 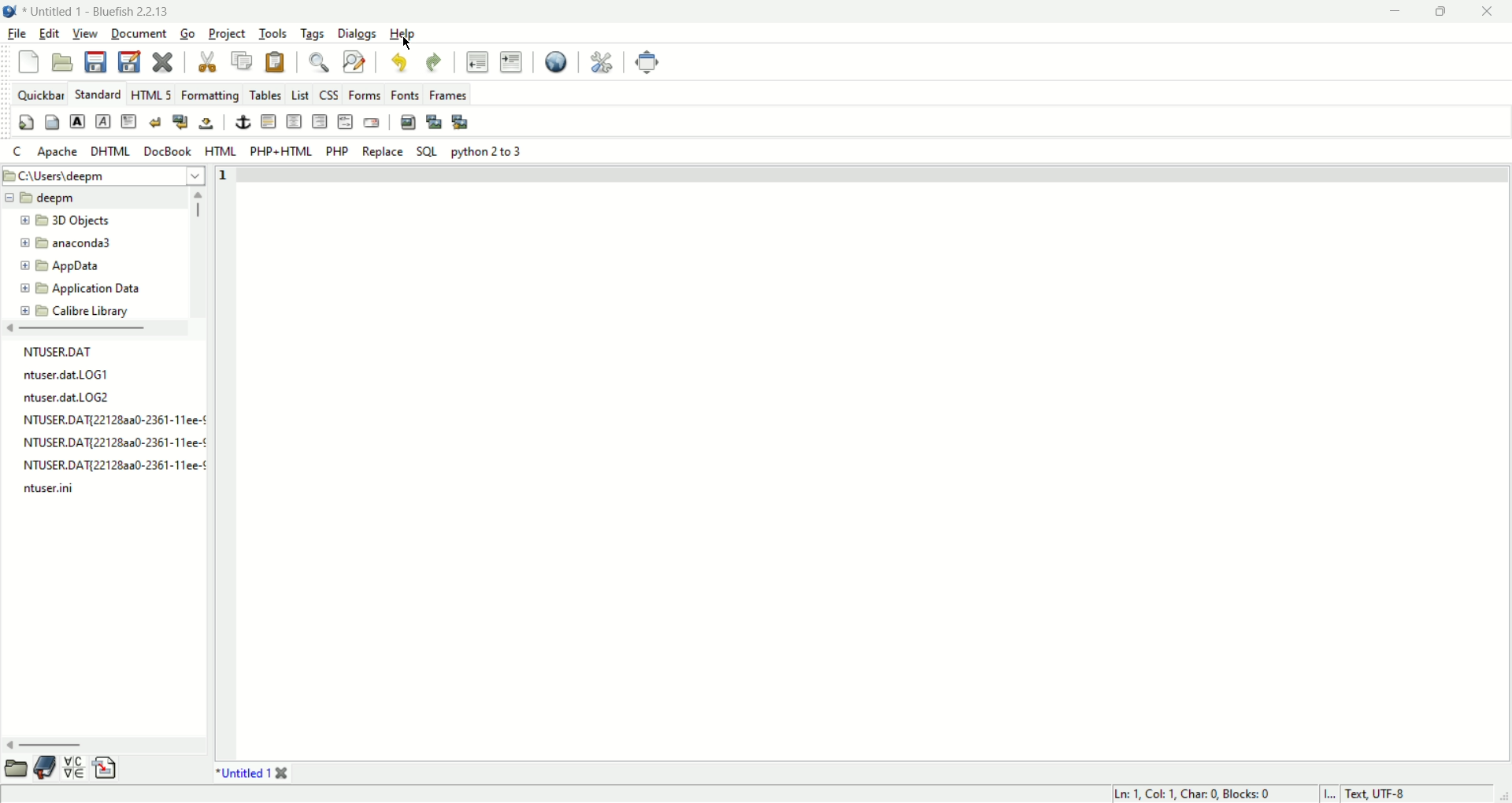 I want to click on quick settings, so click(x=28, y=123).